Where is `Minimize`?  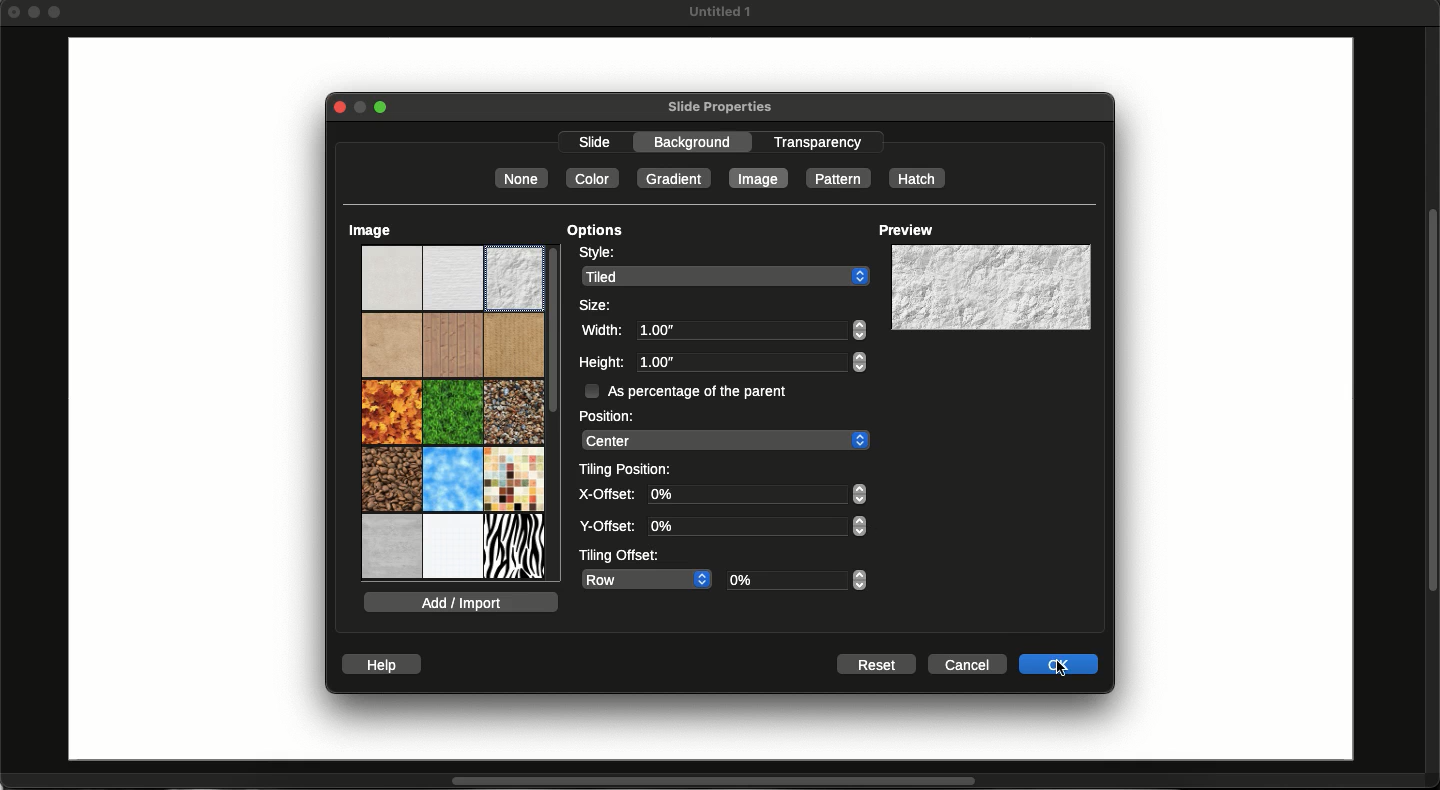 Minimize is located at coordinates (359, 108).